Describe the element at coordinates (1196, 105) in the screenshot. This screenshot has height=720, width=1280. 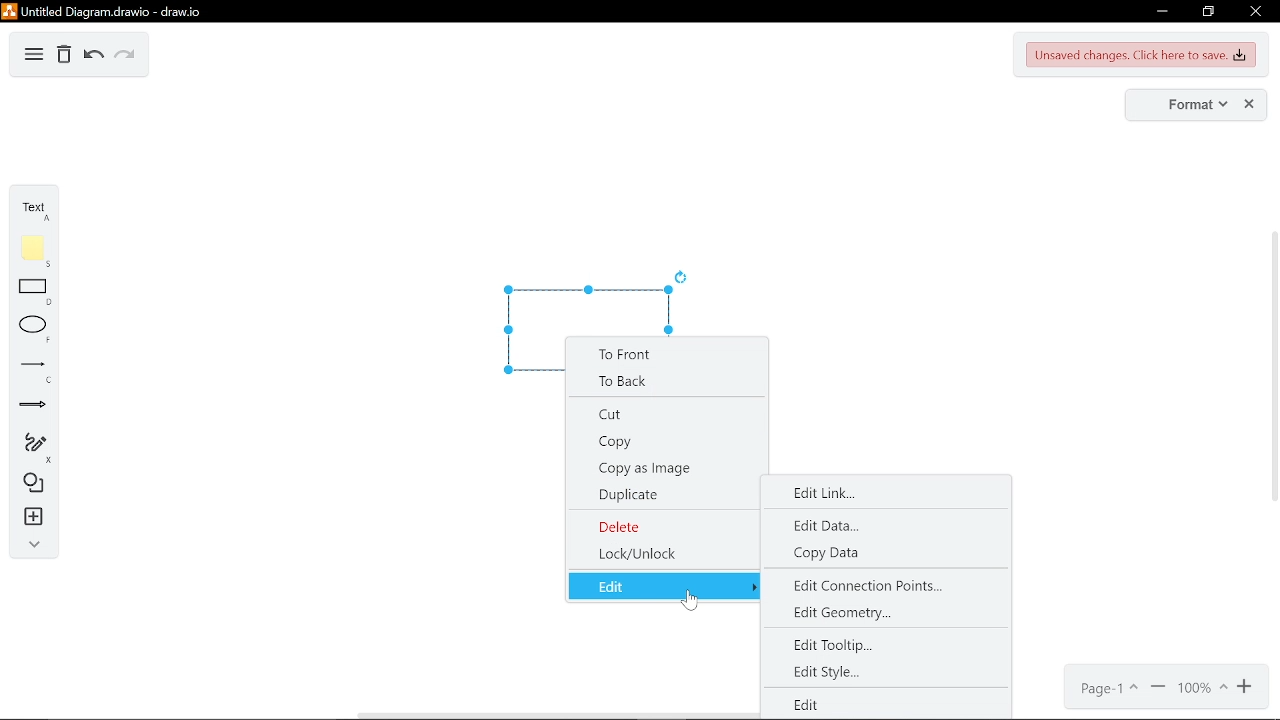
I see `format` at that location.